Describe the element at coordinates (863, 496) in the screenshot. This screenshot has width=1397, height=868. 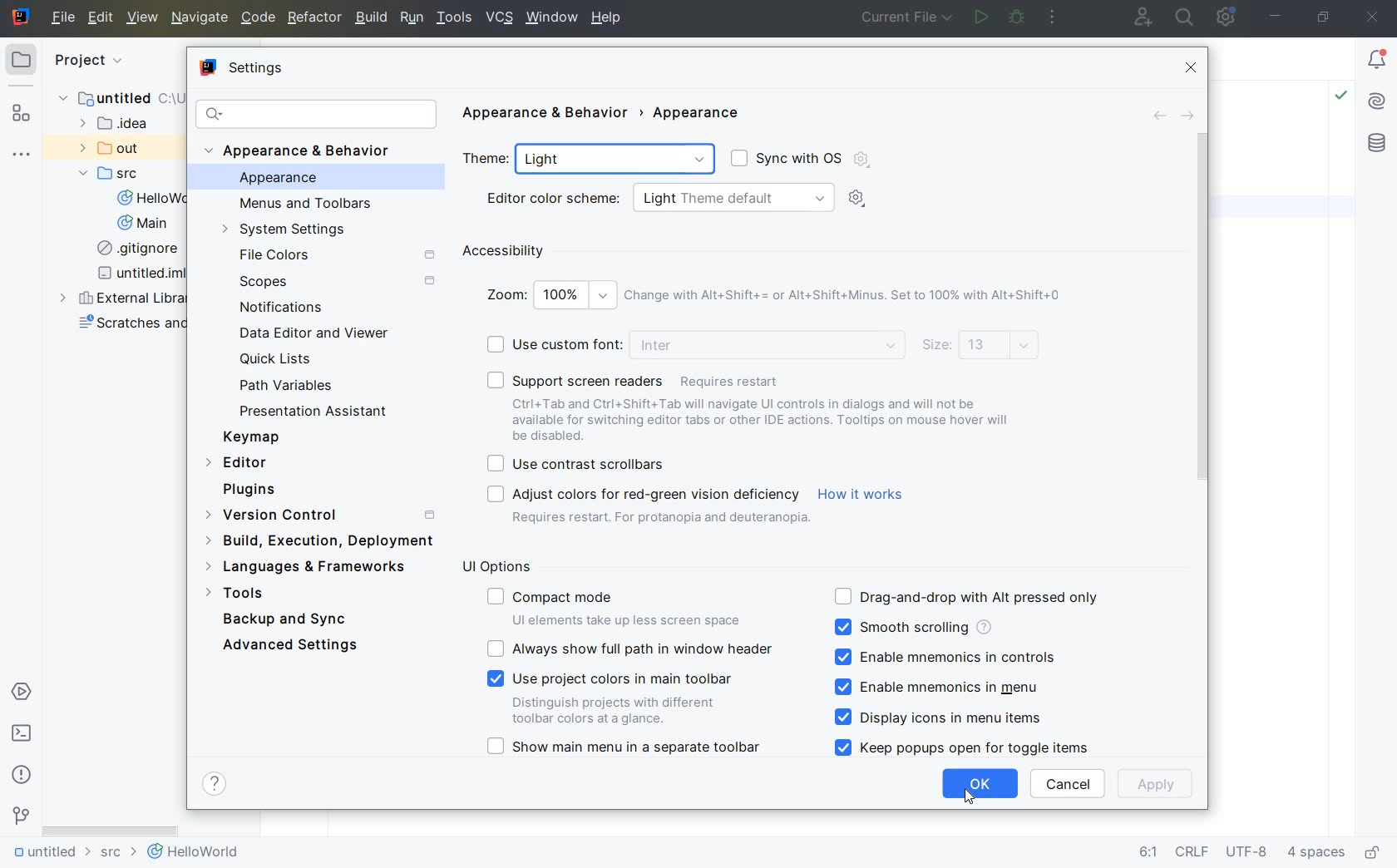
I see `how it works` at that location.